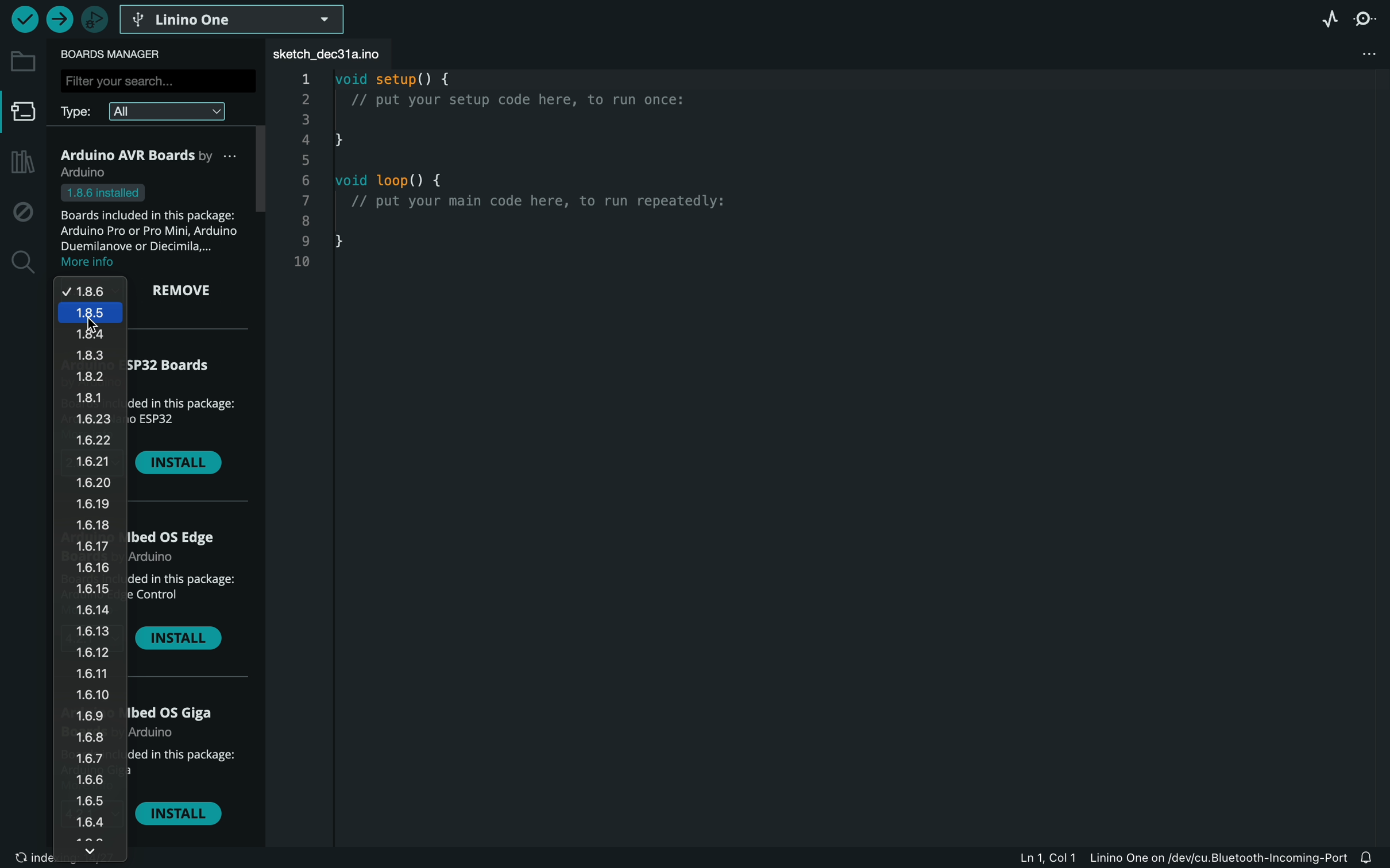  I want to click on search, so click(21, 263).